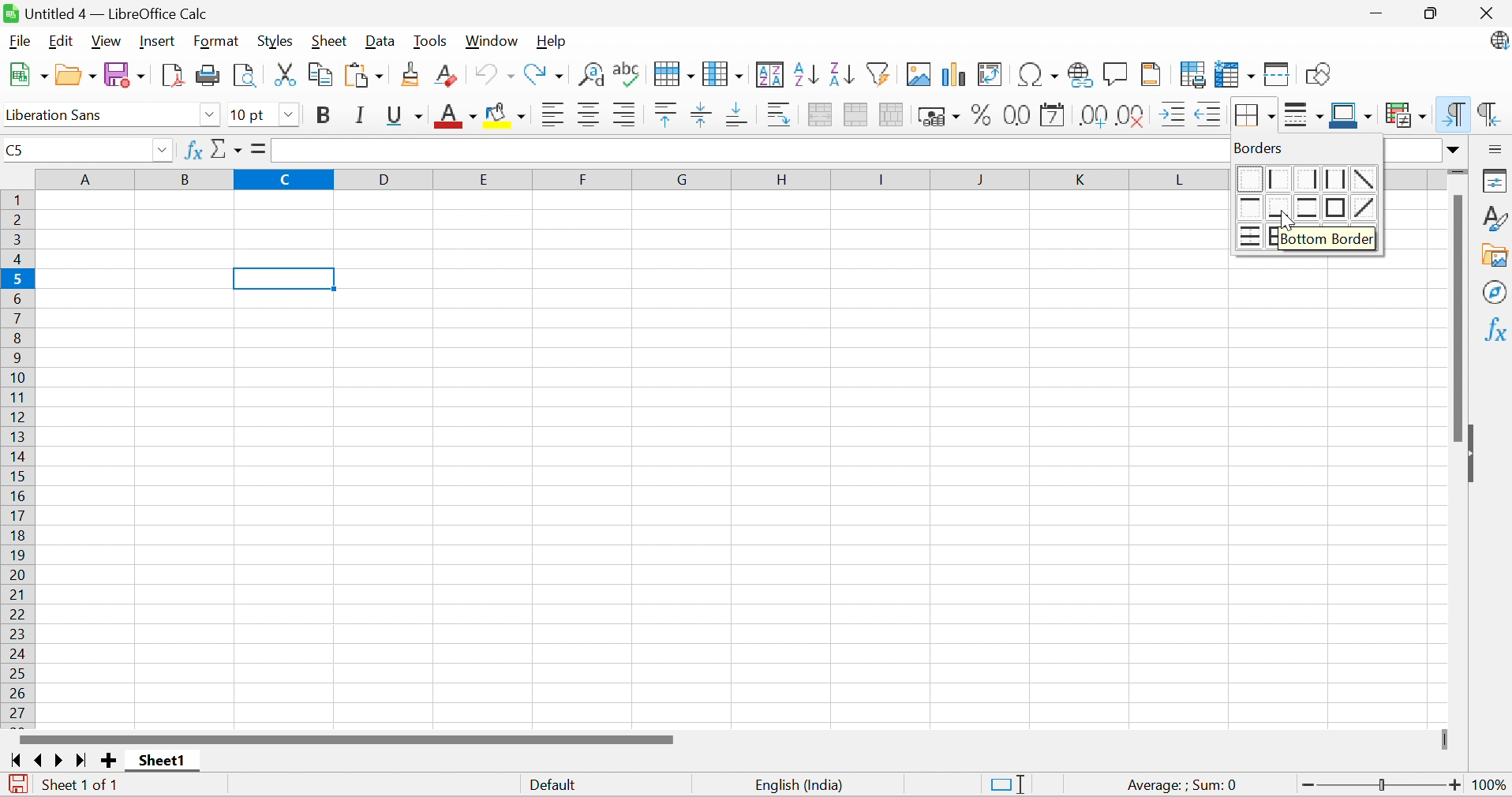 The height and width of the screenshot is (797, 1512). I want to click on Add decimal place, so click(1092, 117).